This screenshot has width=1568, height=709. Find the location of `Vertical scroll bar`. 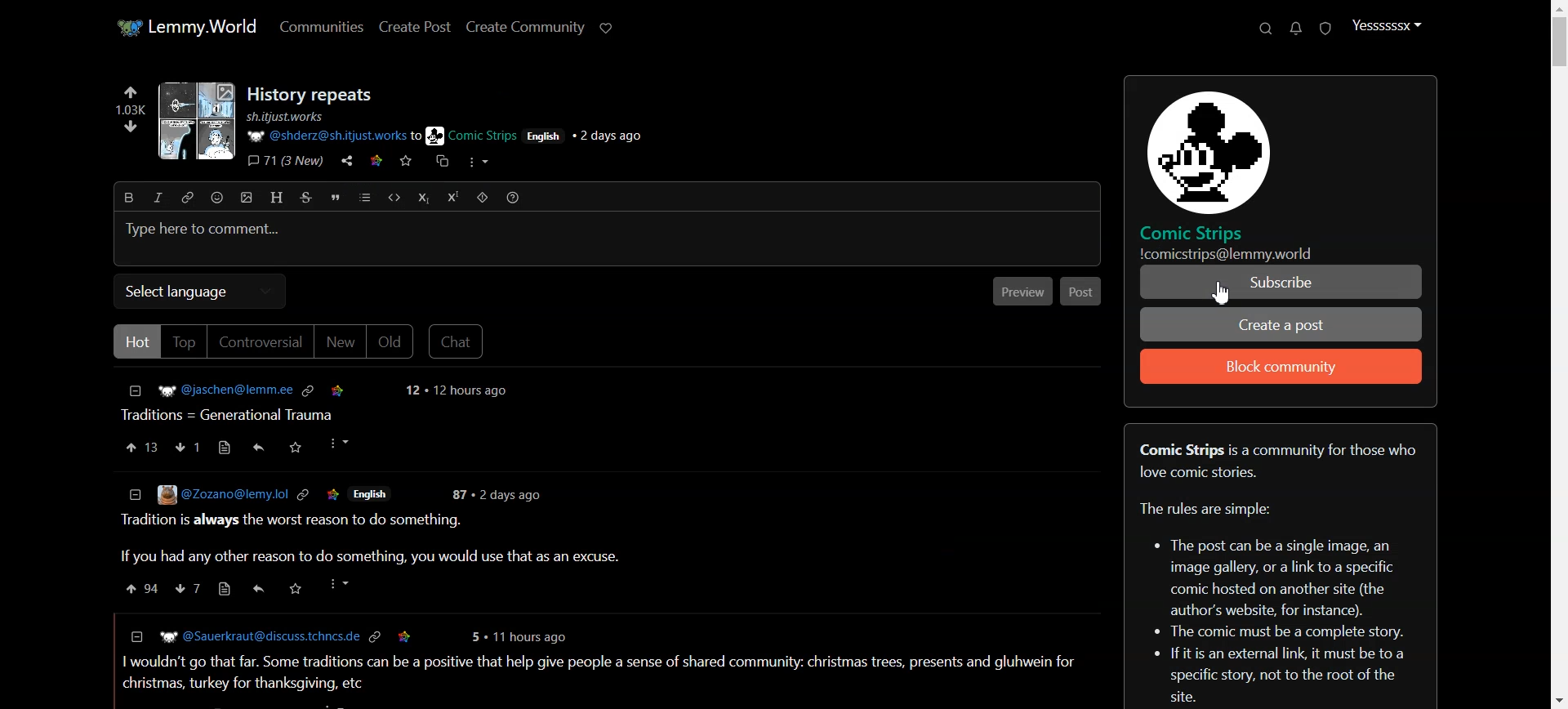

Vertical scroll bar is located at coordinates (1557, 354).